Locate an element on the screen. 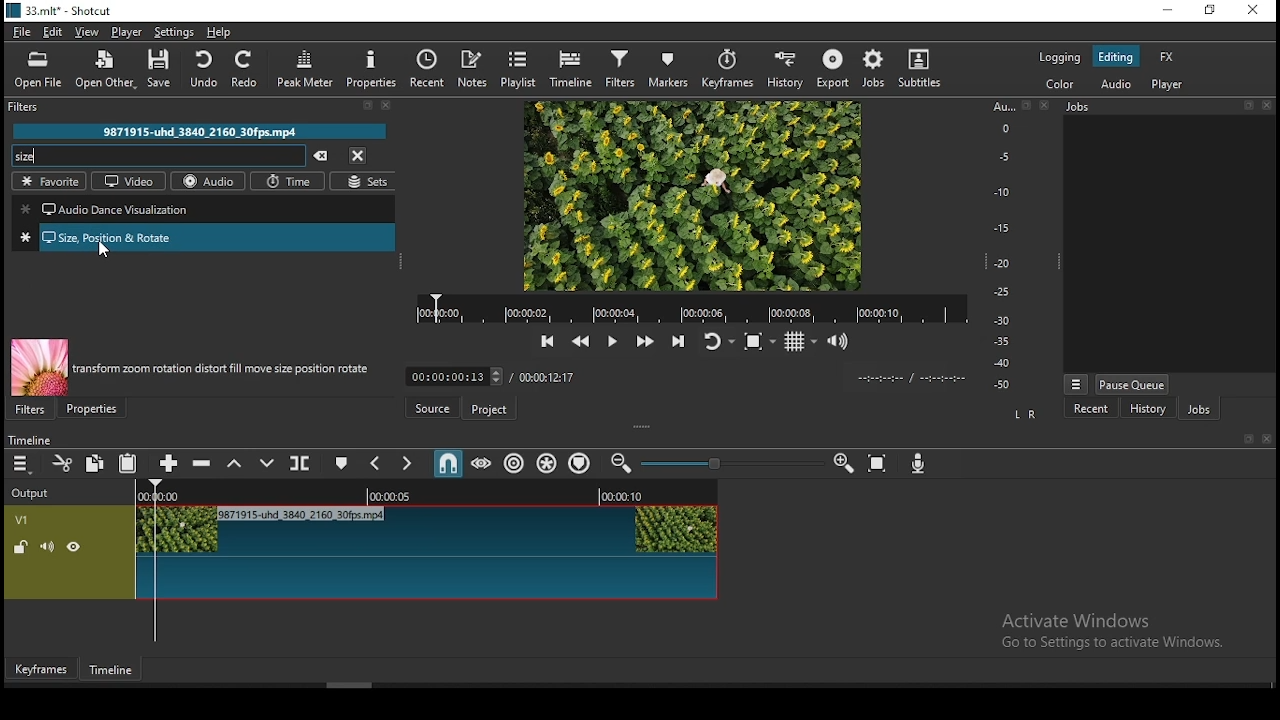 The height and width of the screenshot is (720, 1280). toggle grid display on the player is located at coordinates (799, 341).